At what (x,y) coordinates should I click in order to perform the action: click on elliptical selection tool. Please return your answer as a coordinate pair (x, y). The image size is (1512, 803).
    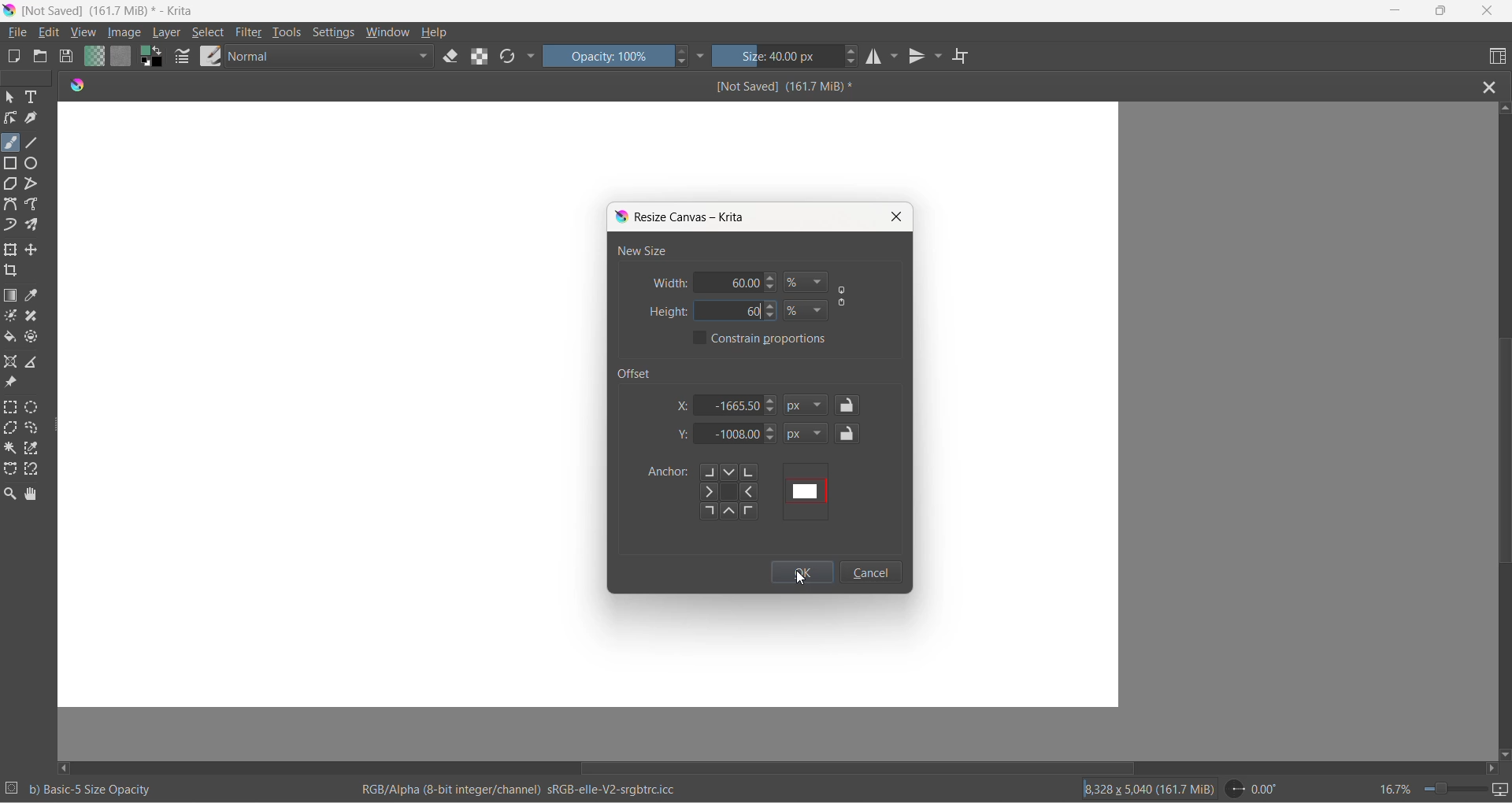
    Looking at the image, I should click on (35, 407).